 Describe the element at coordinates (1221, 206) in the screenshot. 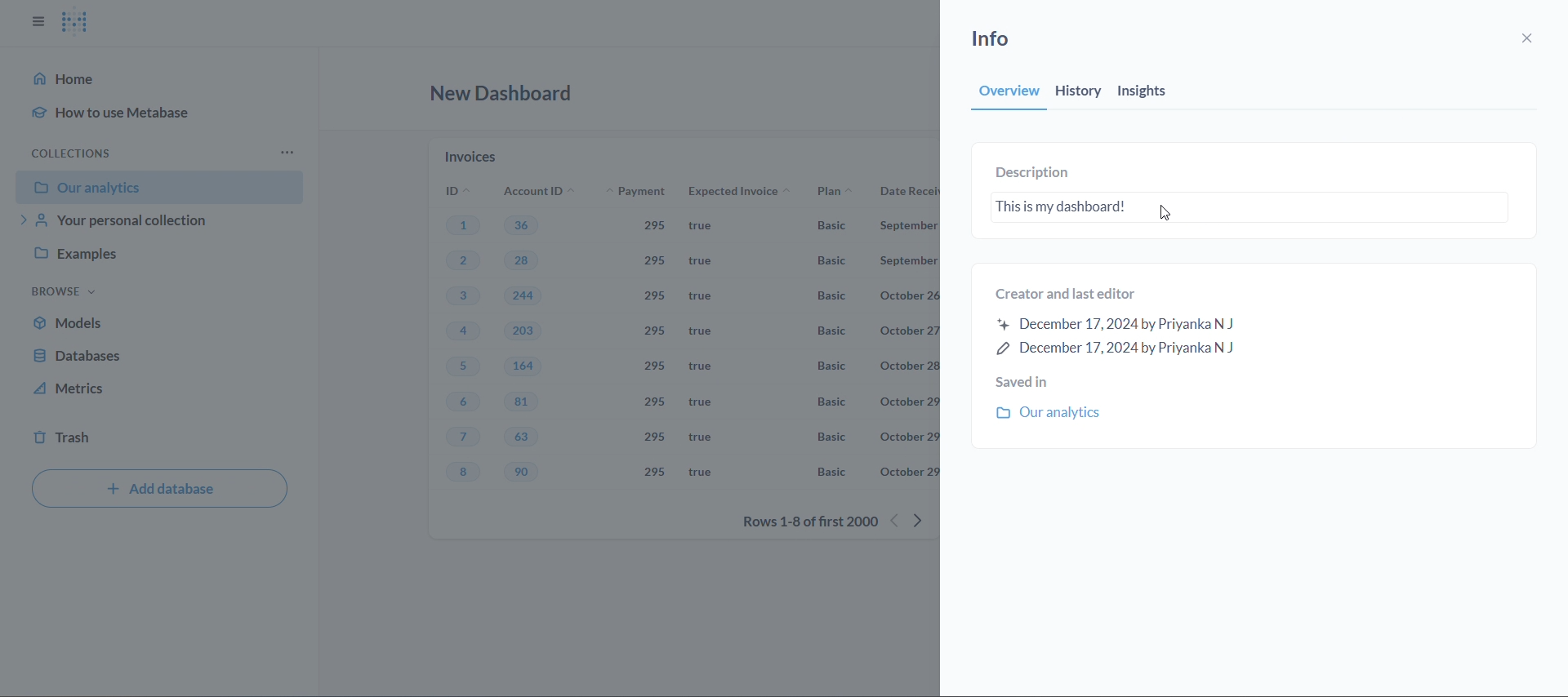

I see `dashboard description text box` at that location.